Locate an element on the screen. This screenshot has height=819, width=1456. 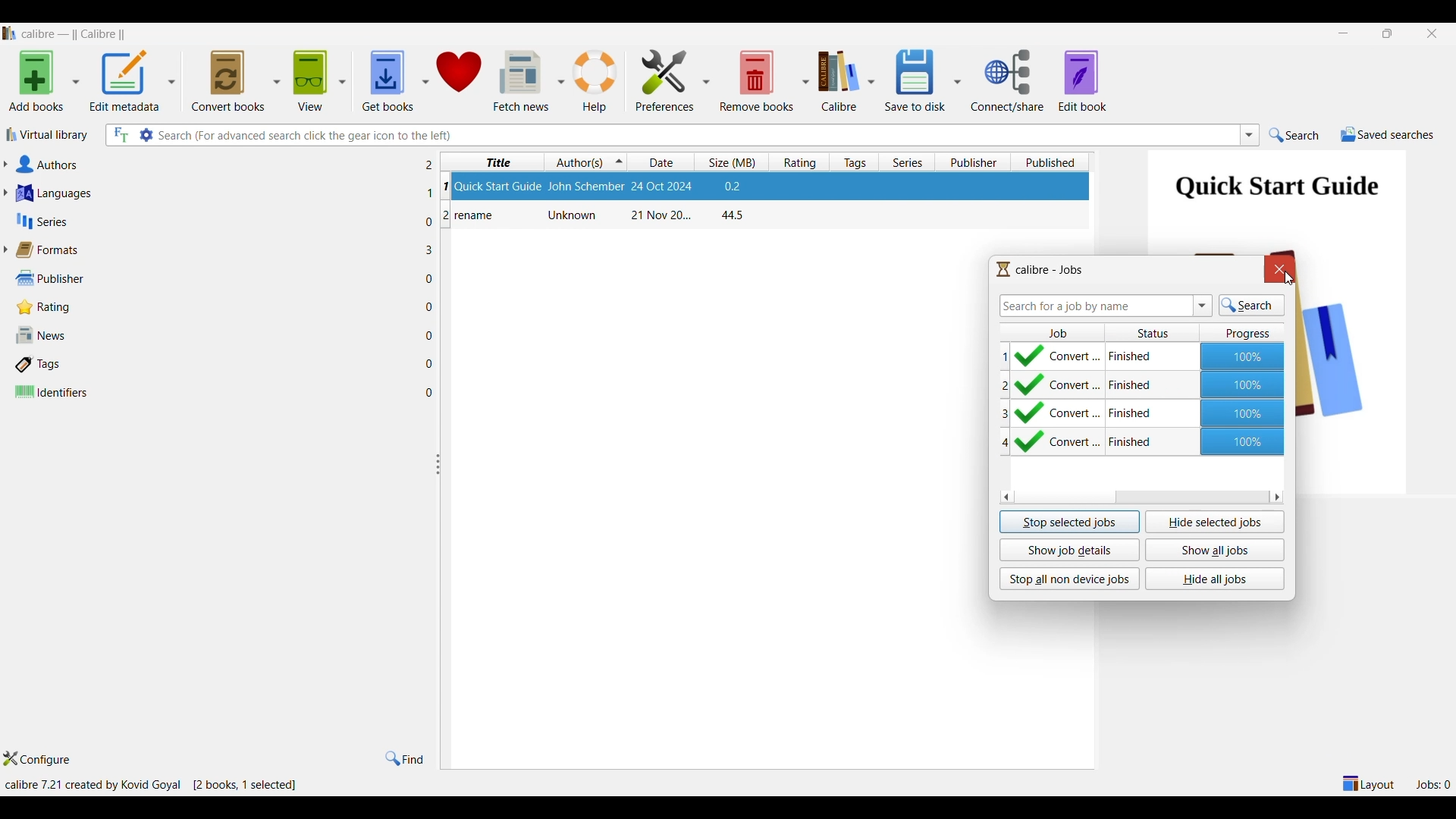
Preference column is located at coordinates (705, 80).